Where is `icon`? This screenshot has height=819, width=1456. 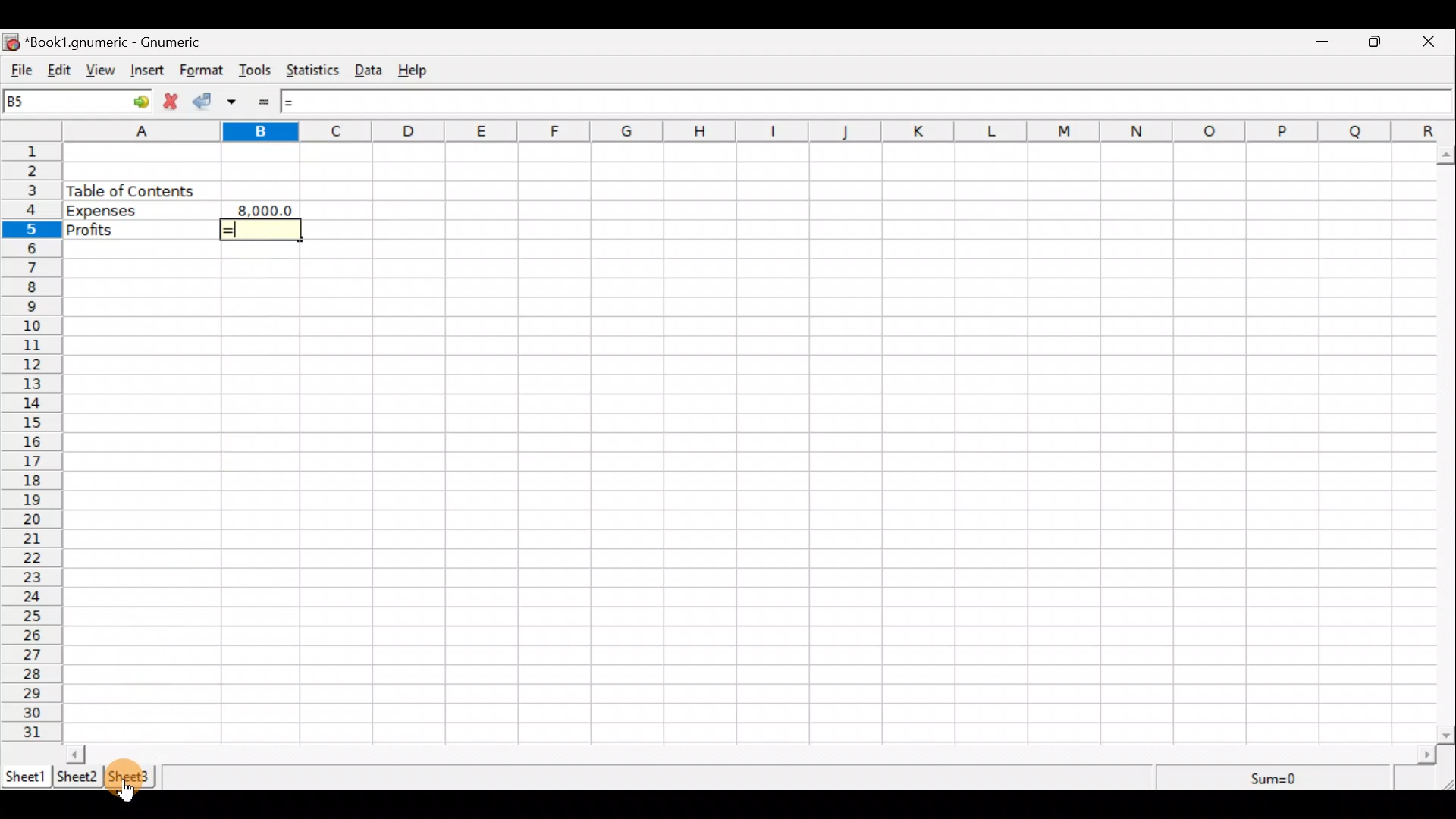 icon is located at coordinates (12, 42).